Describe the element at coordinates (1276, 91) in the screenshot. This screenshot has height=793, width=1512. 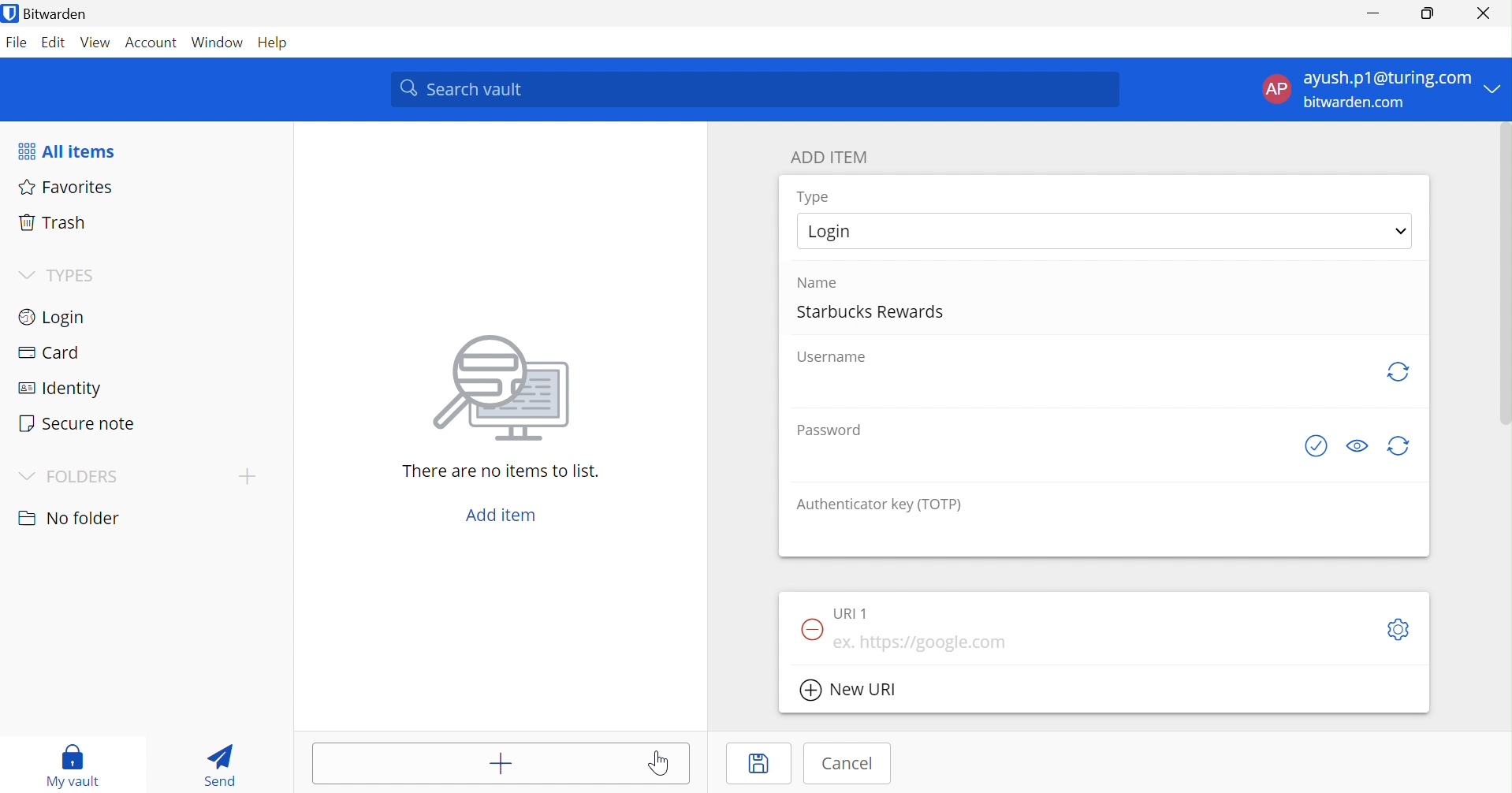
I see `AP` at that location.